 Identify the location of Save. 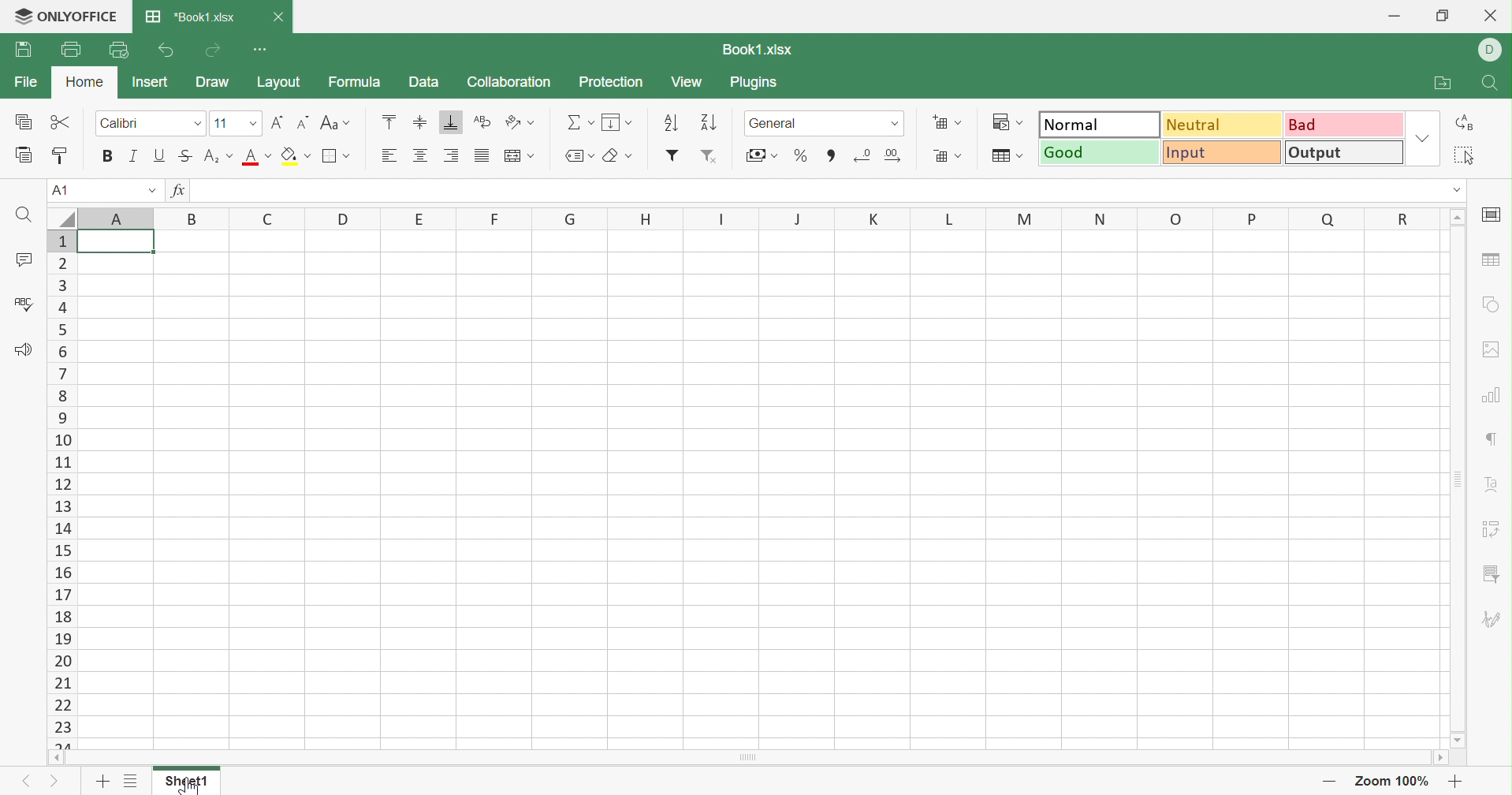
(21, 50).